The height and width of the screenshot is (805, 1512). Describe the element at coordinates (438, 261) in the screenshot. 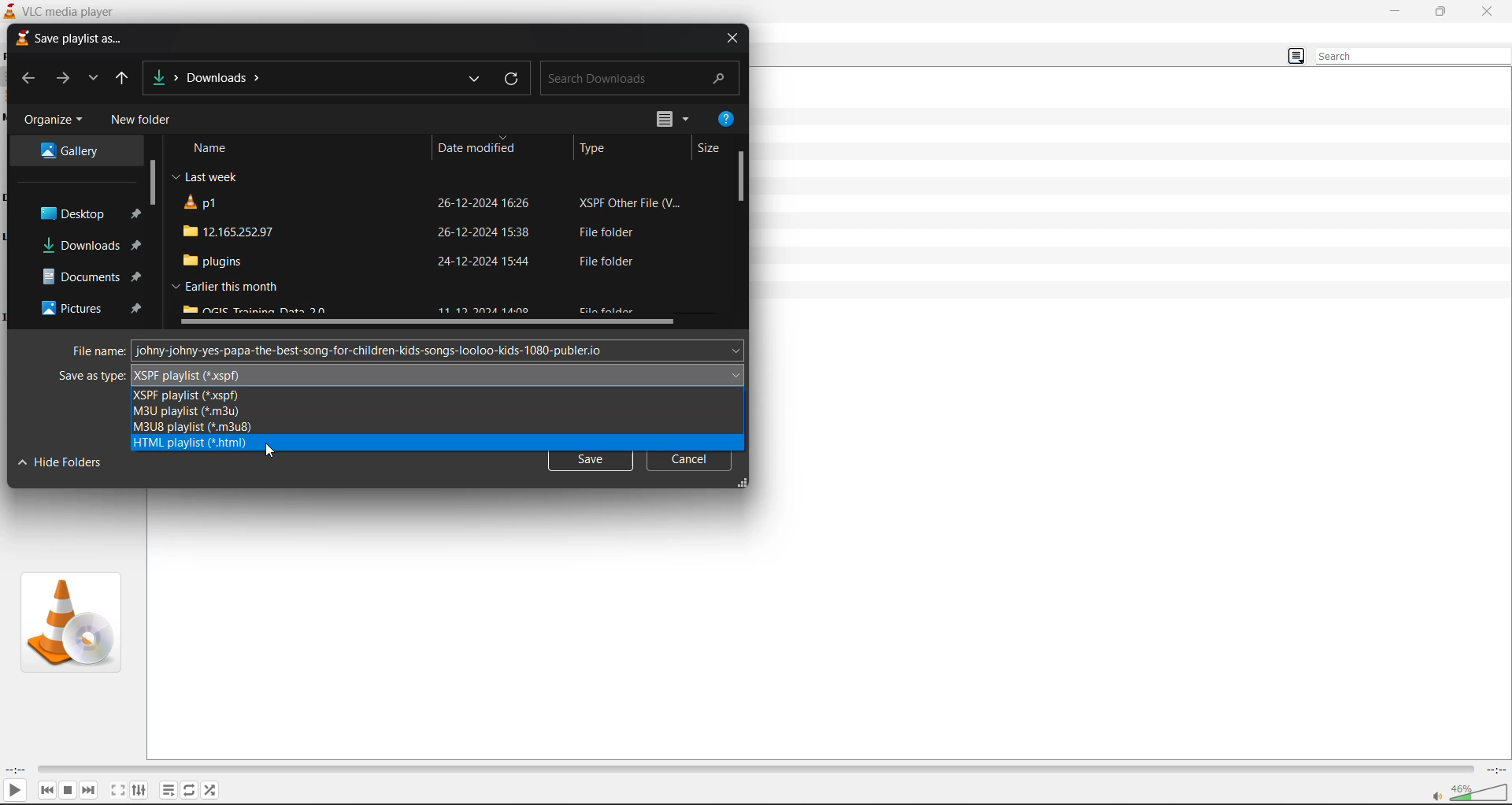

I see `file name , date modified and type` at that location.